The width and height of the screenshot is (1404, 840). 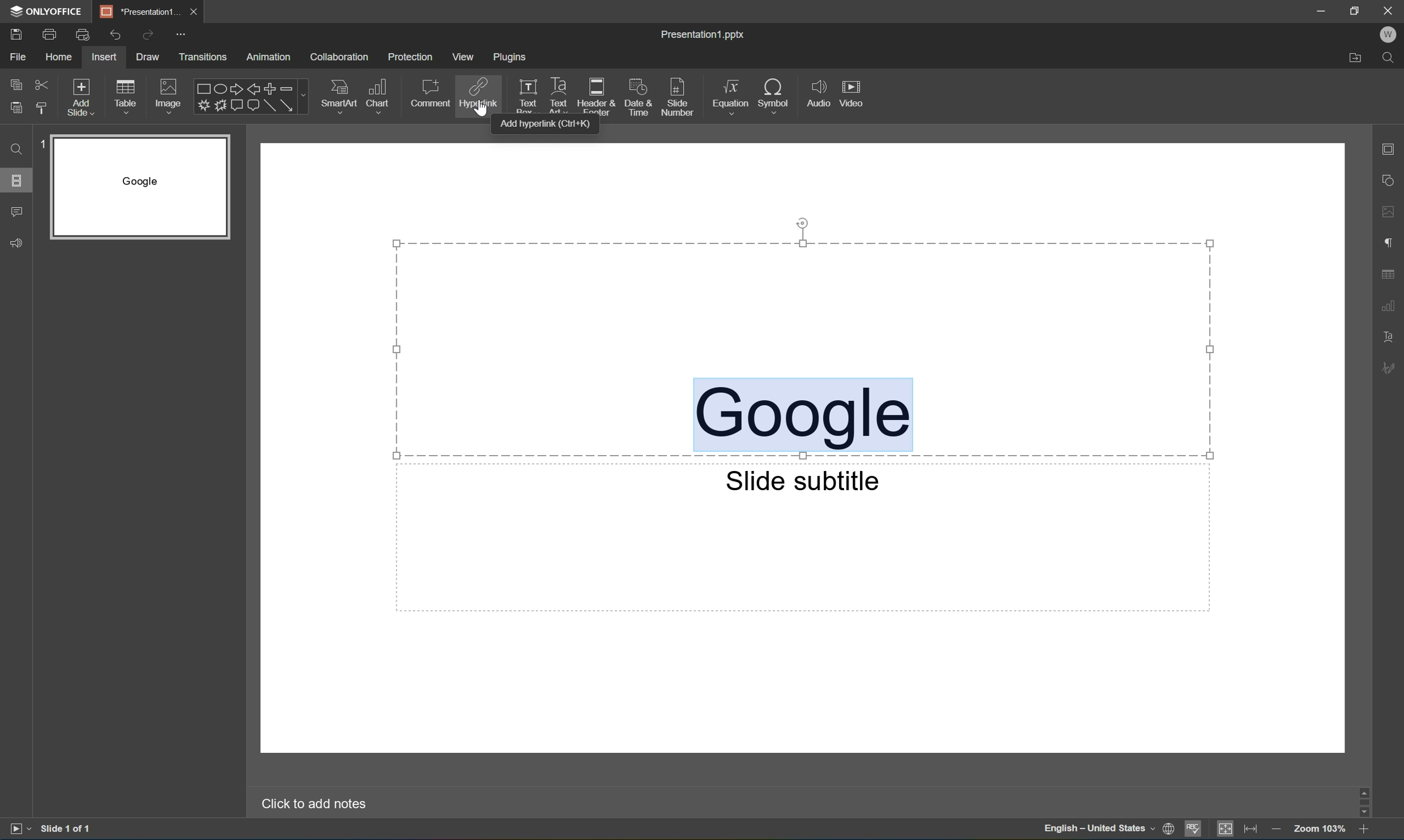 What do you see at coordinates (181, 35) in the screenshot?
I see `Customize Quick Access Toolbar` at bounding box center [181, 35].